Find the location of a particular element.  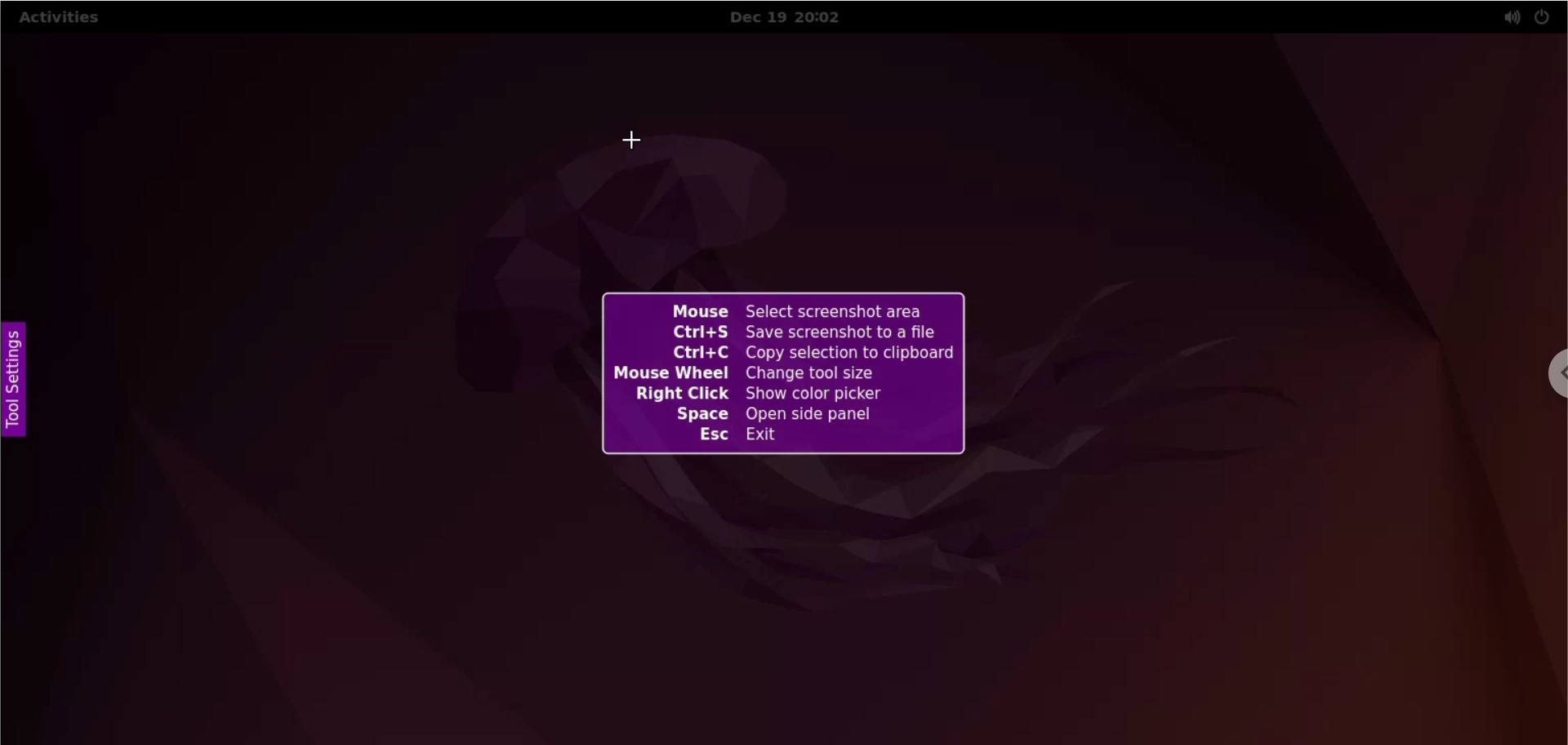

tool settings is located at coordinates (20, 376).